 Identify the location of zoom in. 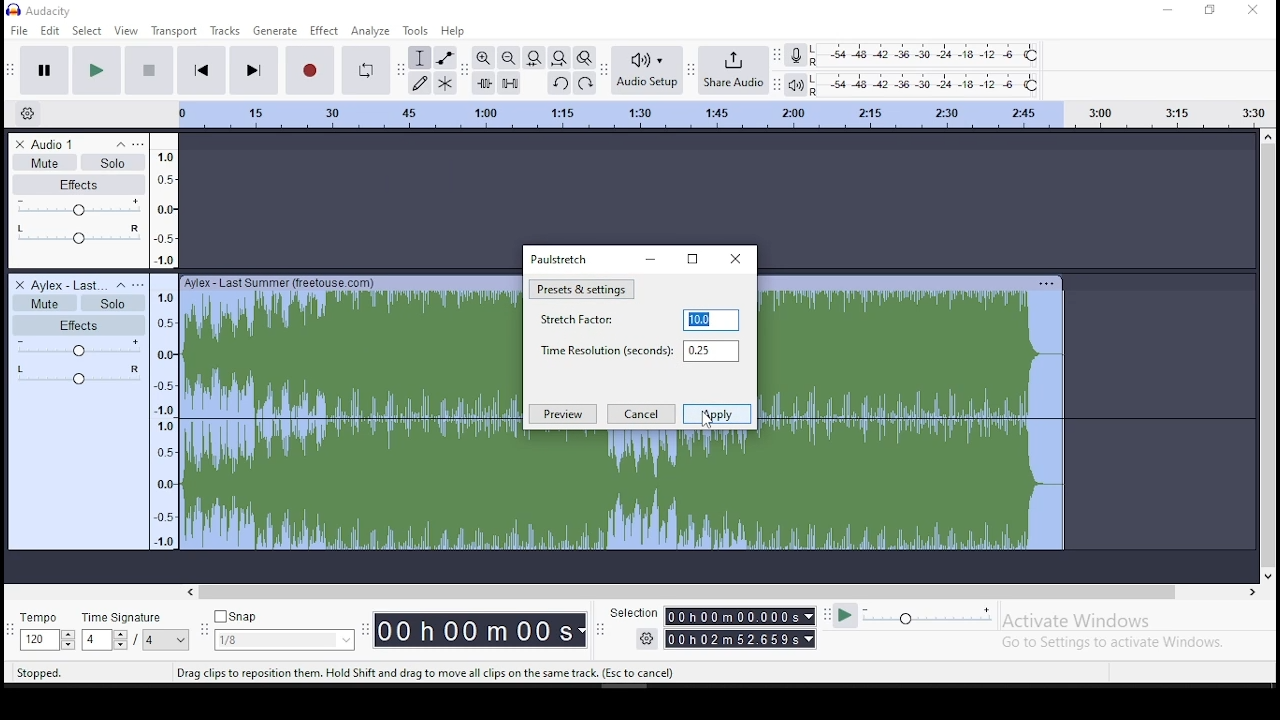
(483, 58).